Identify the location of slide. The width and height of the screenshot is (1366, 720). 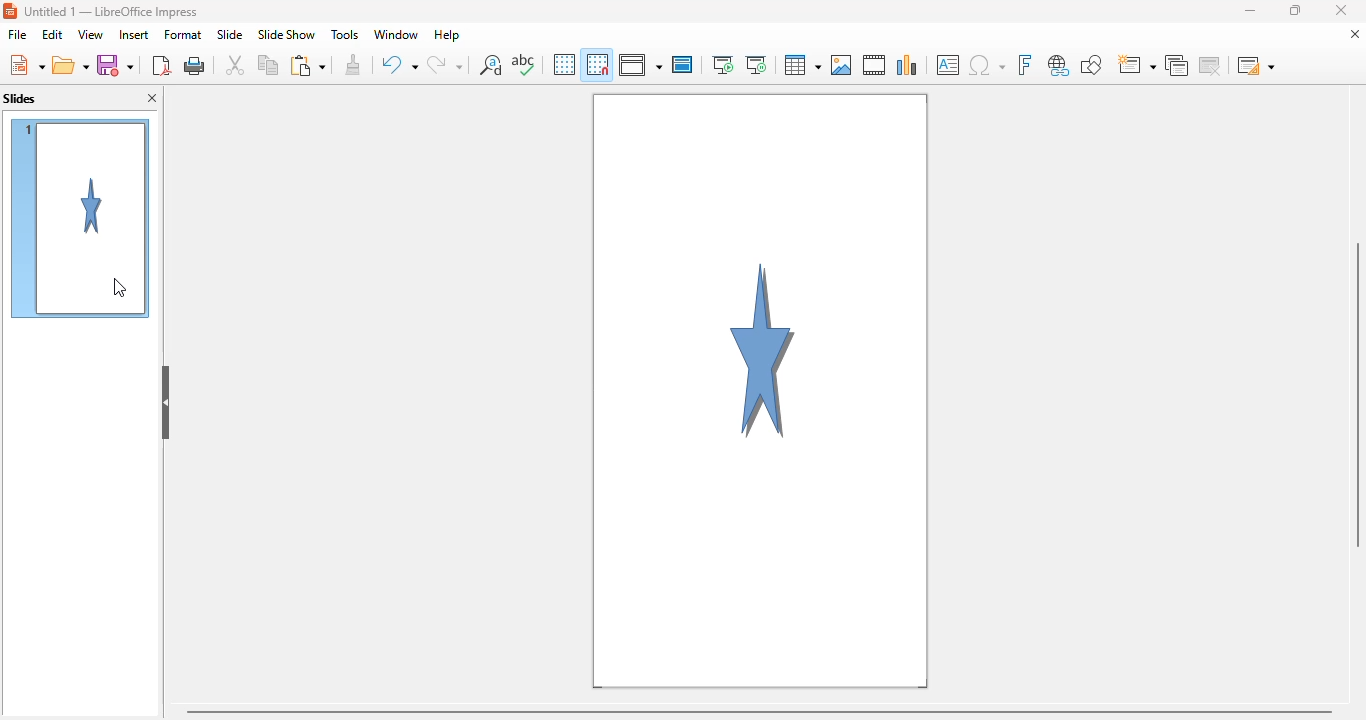
(231, 35).